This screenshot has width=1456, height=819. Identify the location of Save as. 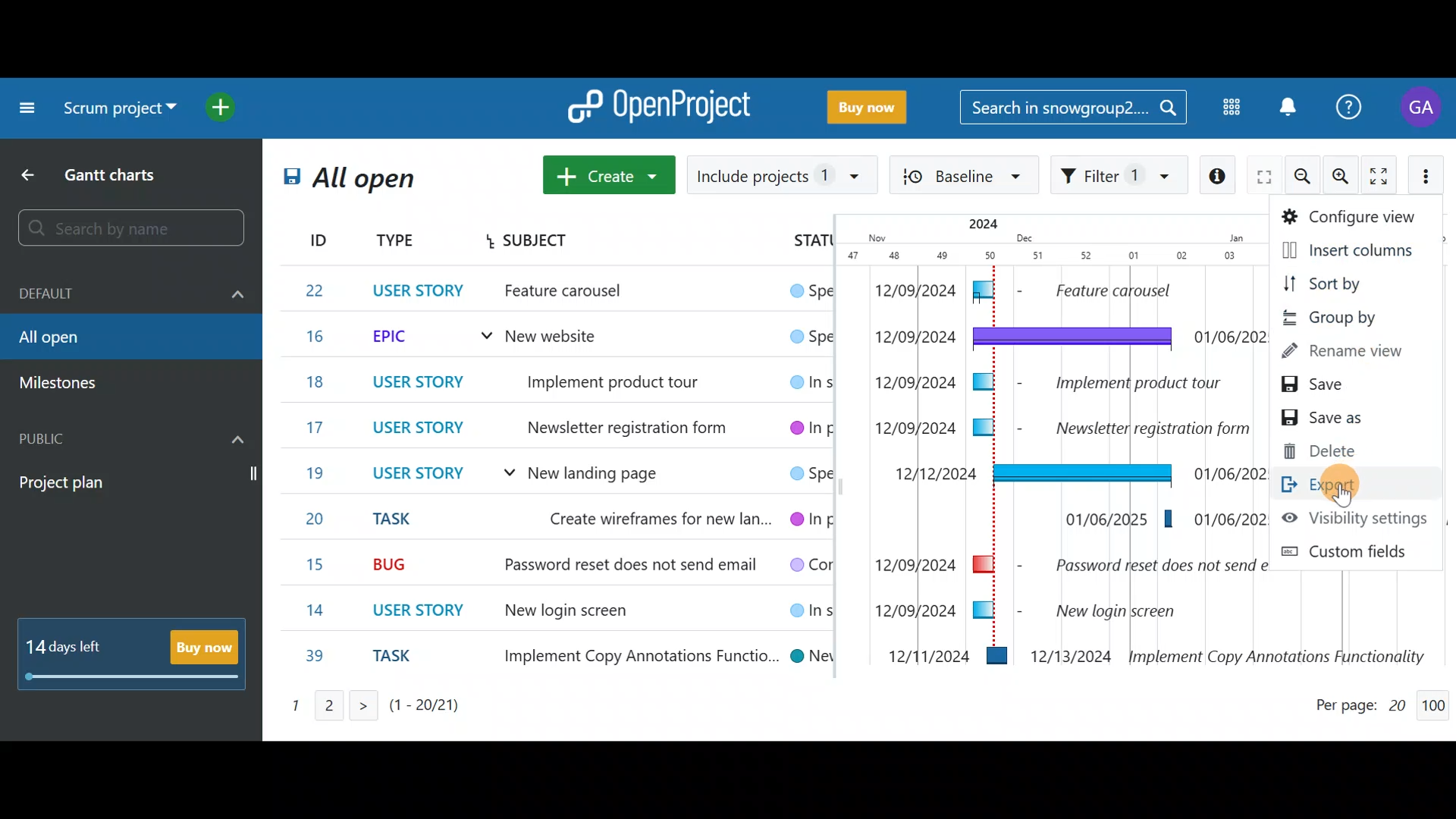
(1341, 419).